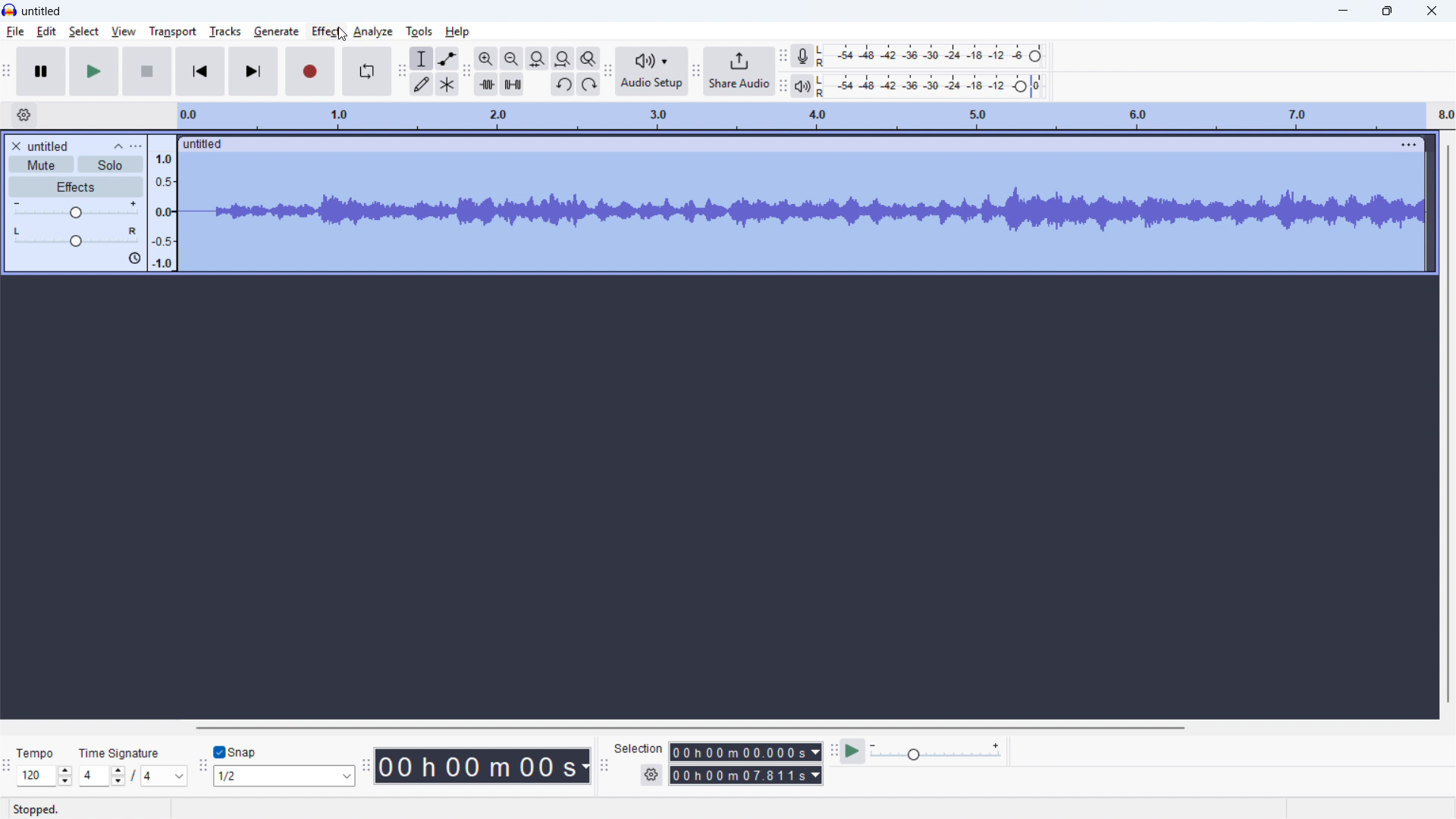  Describe the element at coordinates (24, 115) in the screenshot. I see `timeline settings` at that location.